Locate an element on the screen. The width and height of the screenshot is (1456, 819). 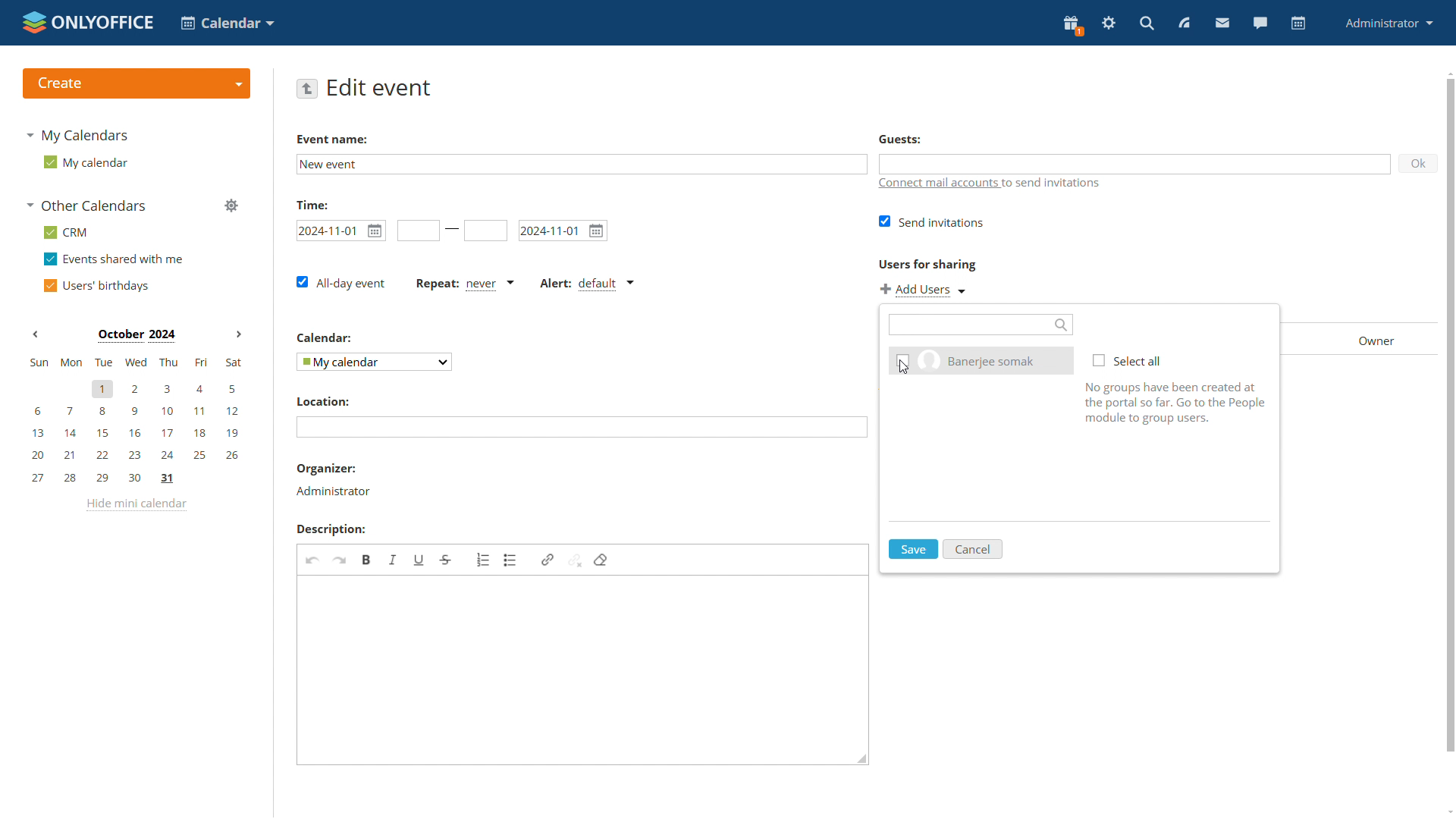
Calendar is located at coordinates (324, 338).